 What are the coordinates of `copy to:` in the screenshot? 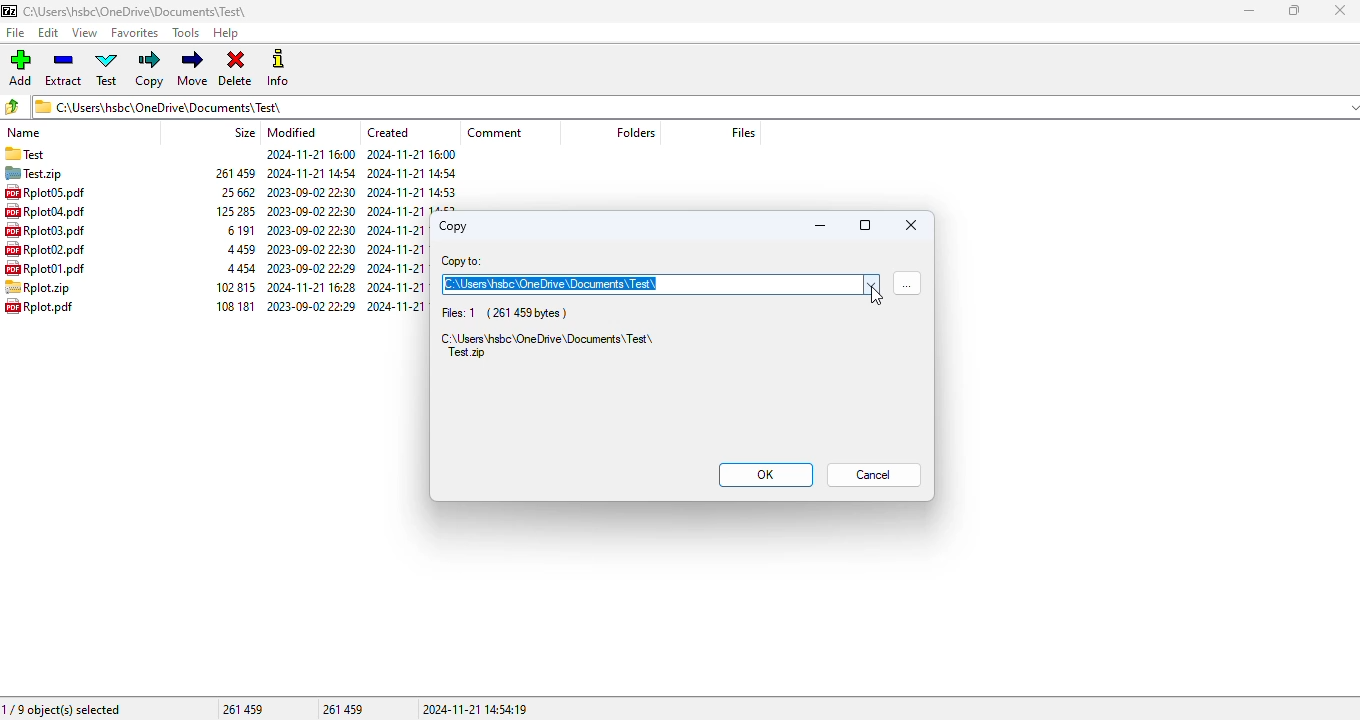 It's located at (462, 261).